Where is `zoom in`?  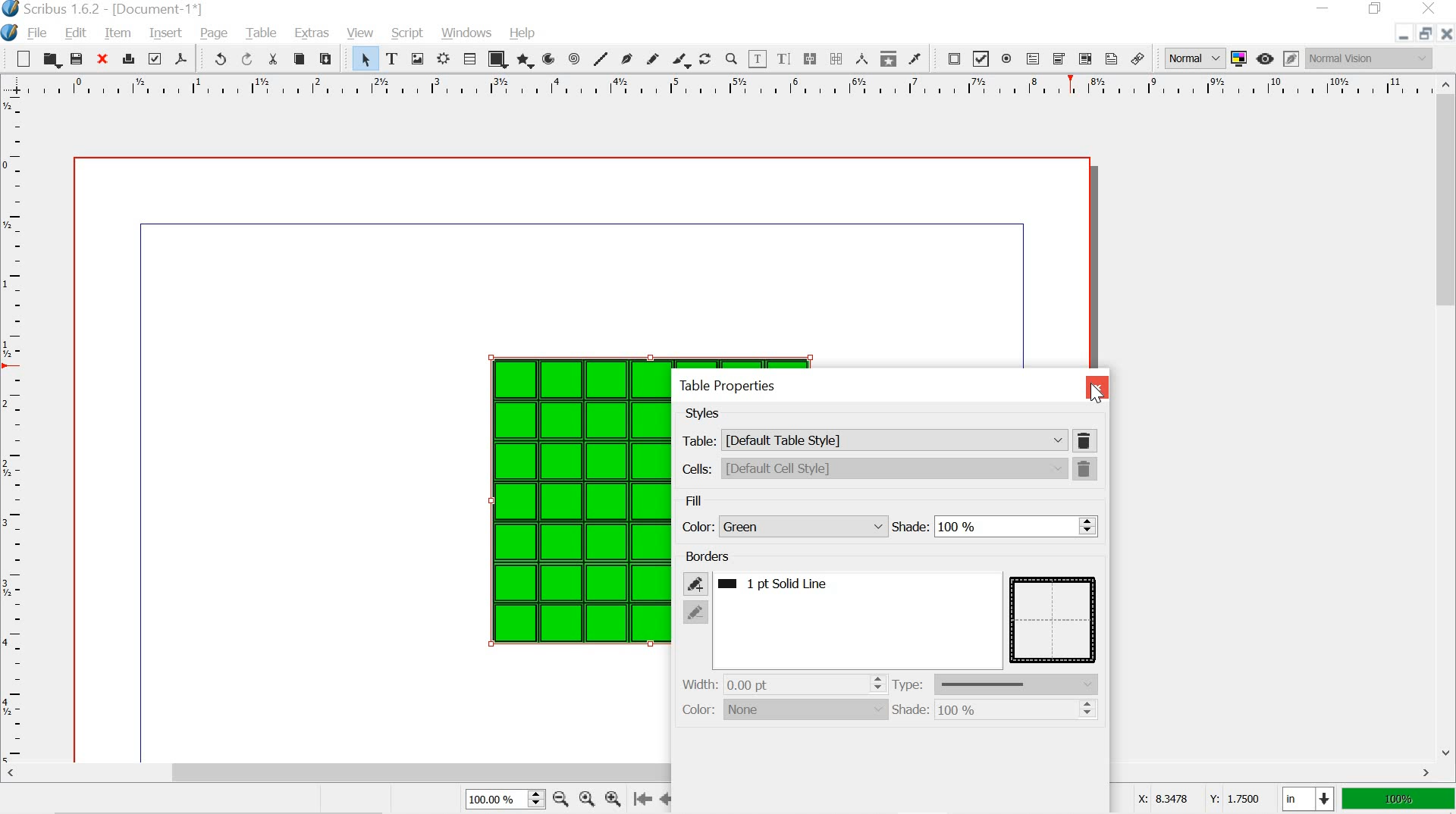 zoom in is located at coordinates (613, 798).